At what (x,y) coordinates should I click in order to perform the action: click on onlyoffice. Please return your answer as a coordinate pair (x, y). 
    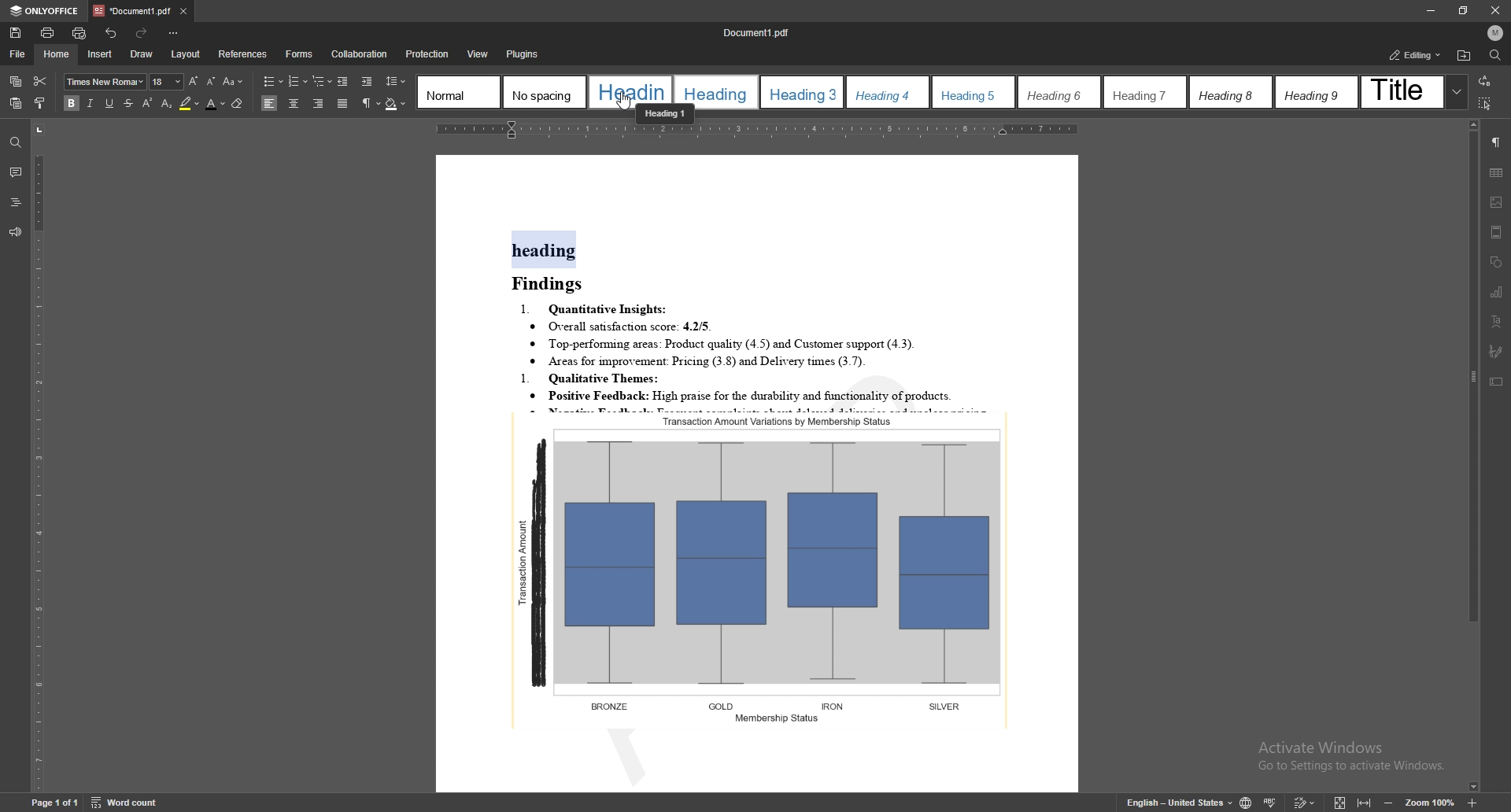
    Looking at the image, I should click on (45, 12).